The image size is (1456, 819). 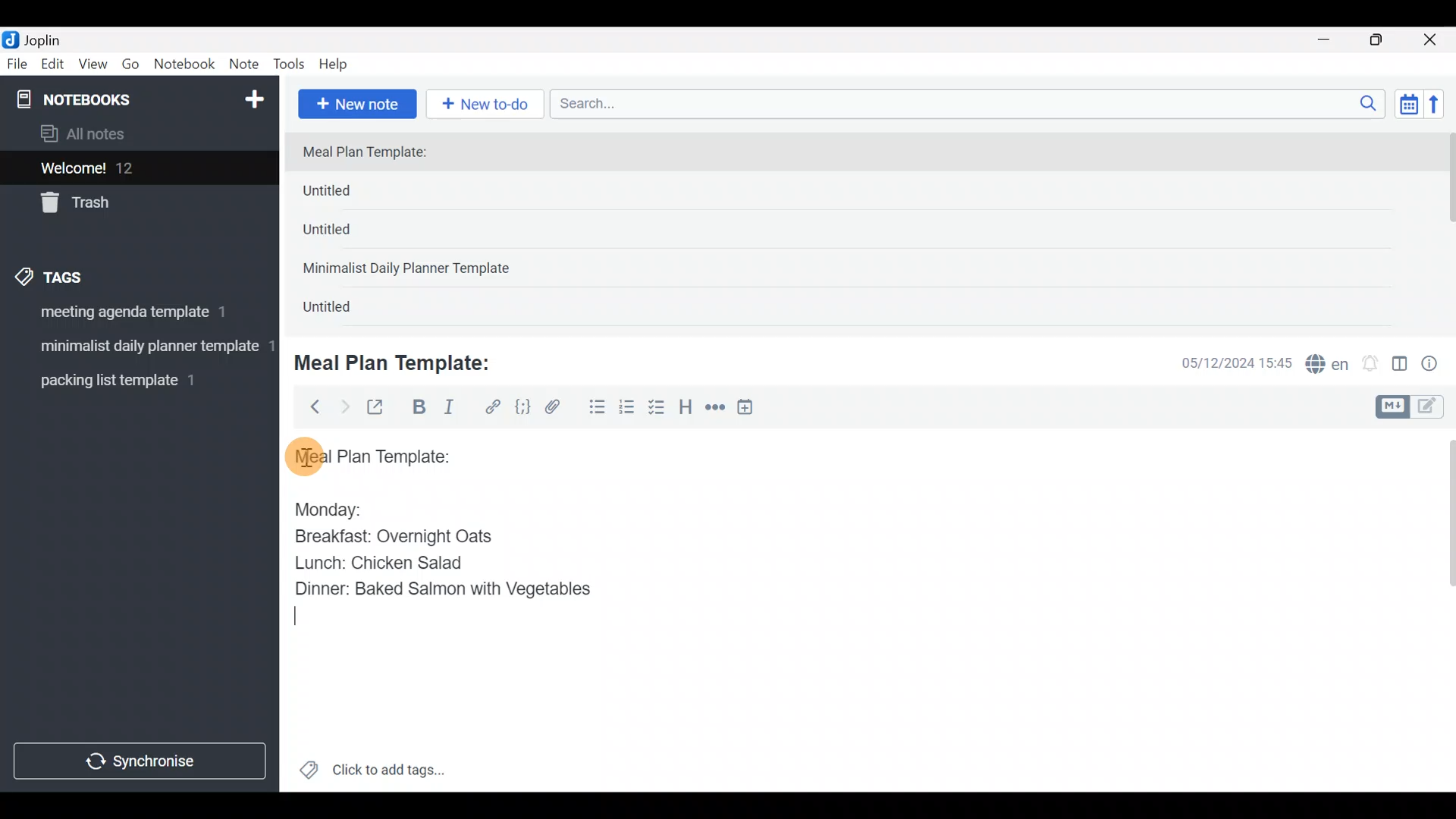 I want to click on Toggle external editing, so click(x=381, y=408).